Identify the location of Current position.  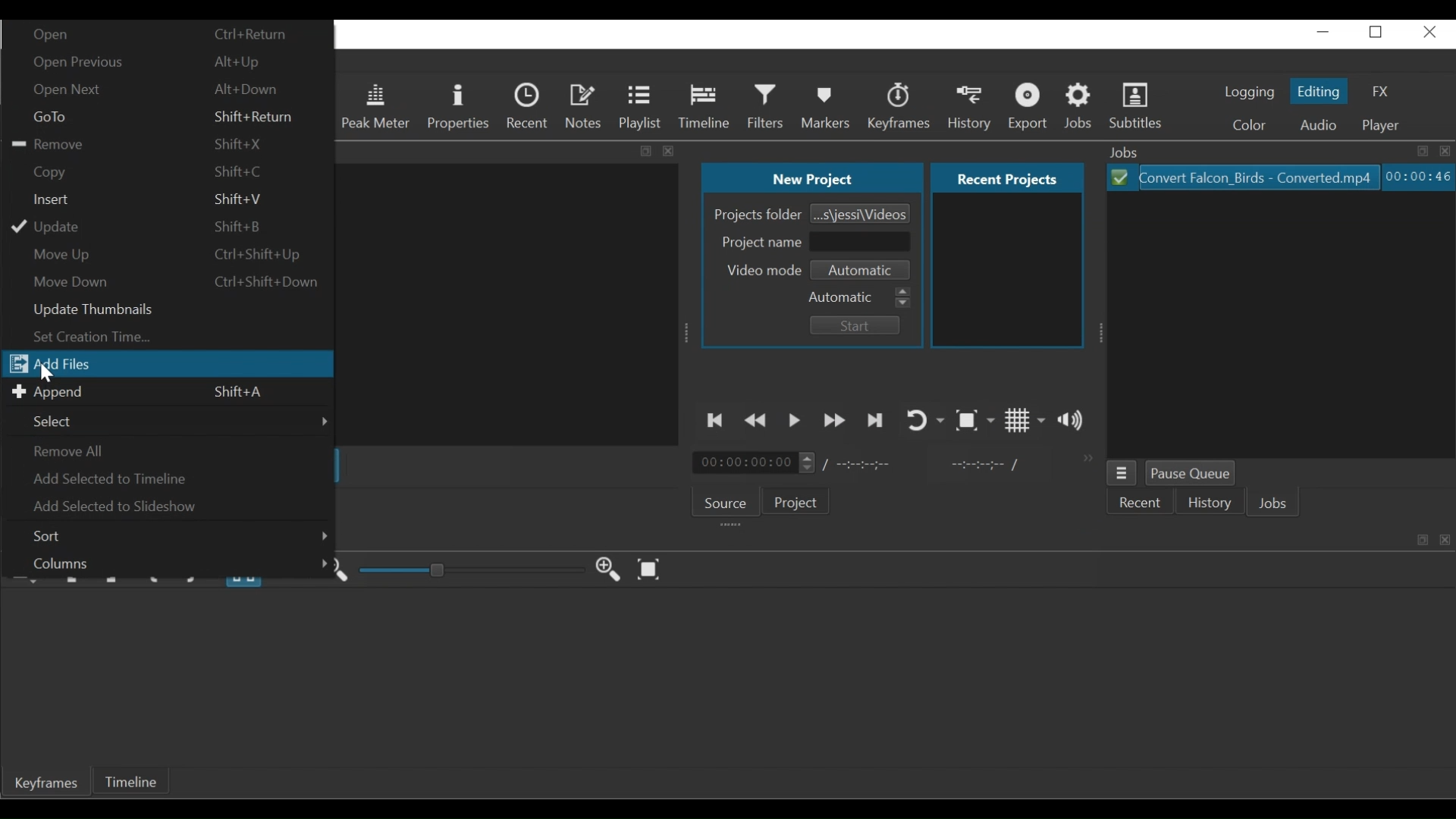
(755, 463).